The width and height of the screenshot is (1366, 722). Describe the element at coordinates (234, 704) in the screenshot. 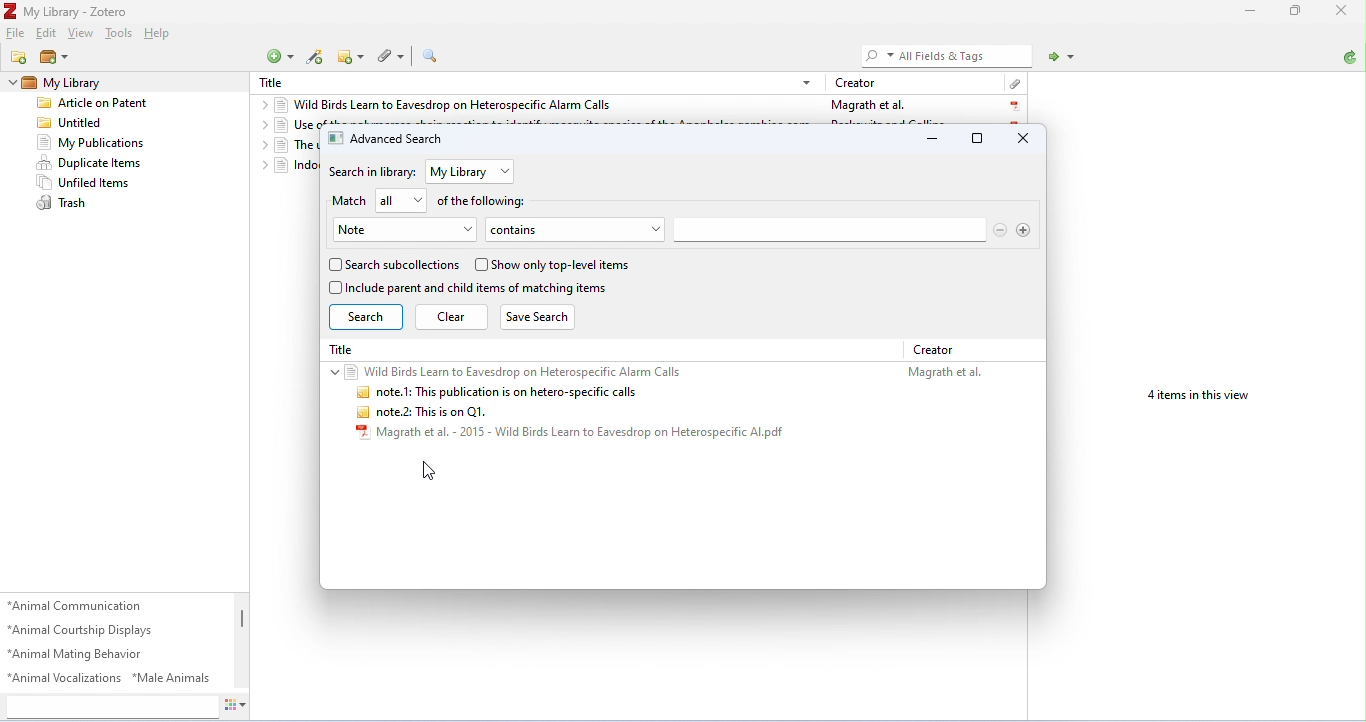

I see `actions` at that location.